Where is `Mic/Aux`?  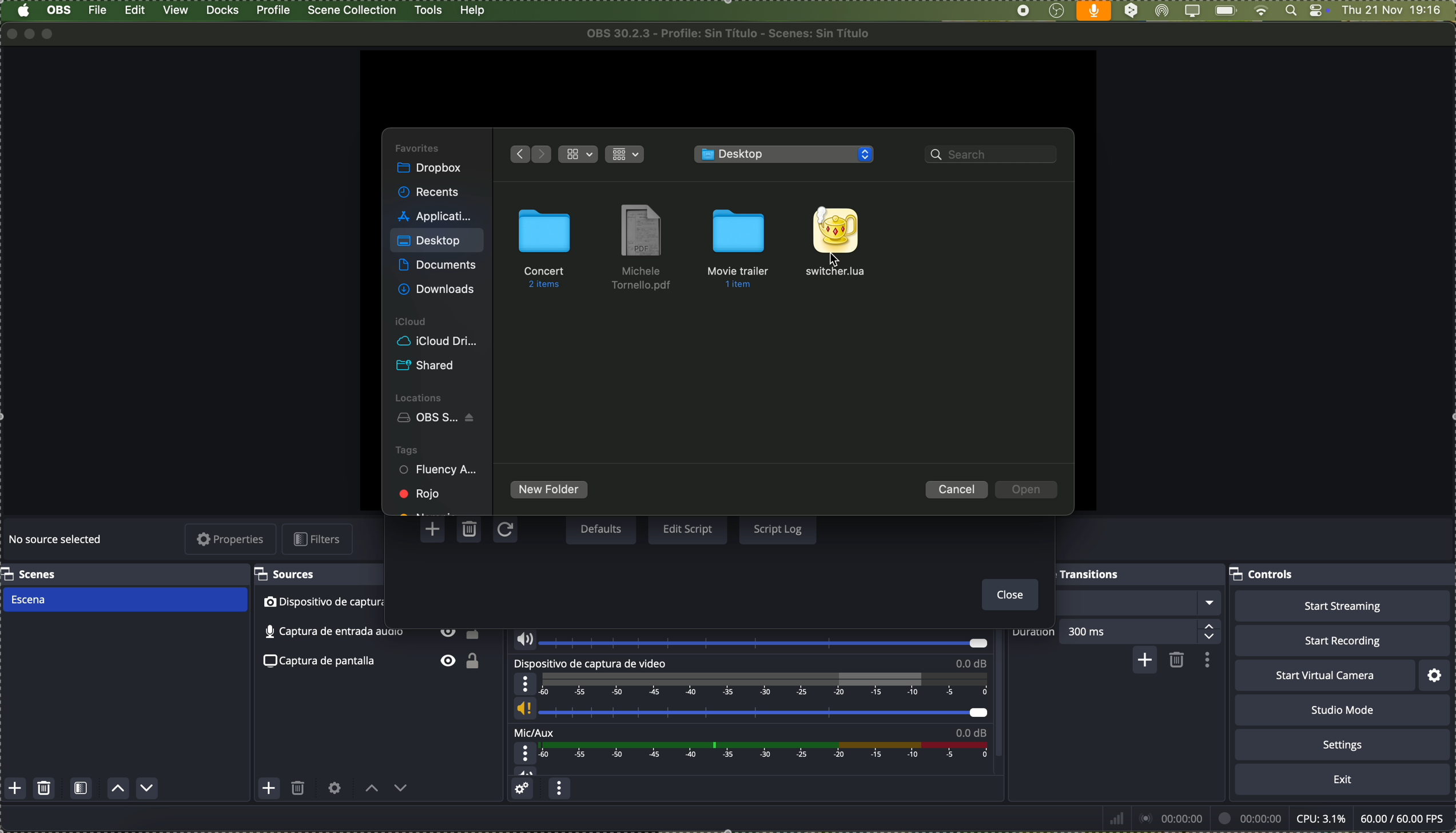 Mic/Aux is located at coordinates (747, 752).